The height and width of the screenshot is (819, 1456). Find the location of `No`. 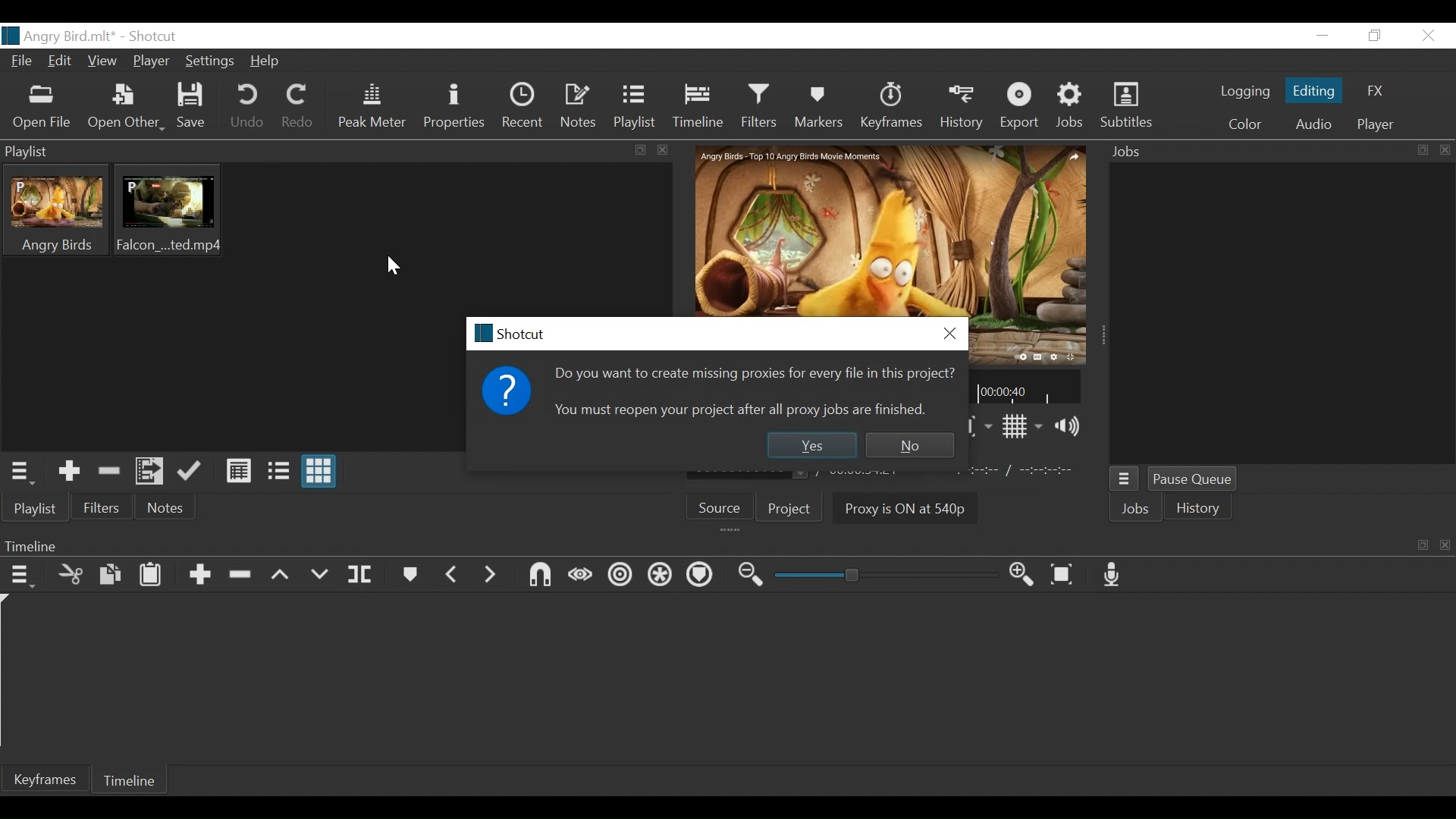

No is located at coordinates (912, 444).